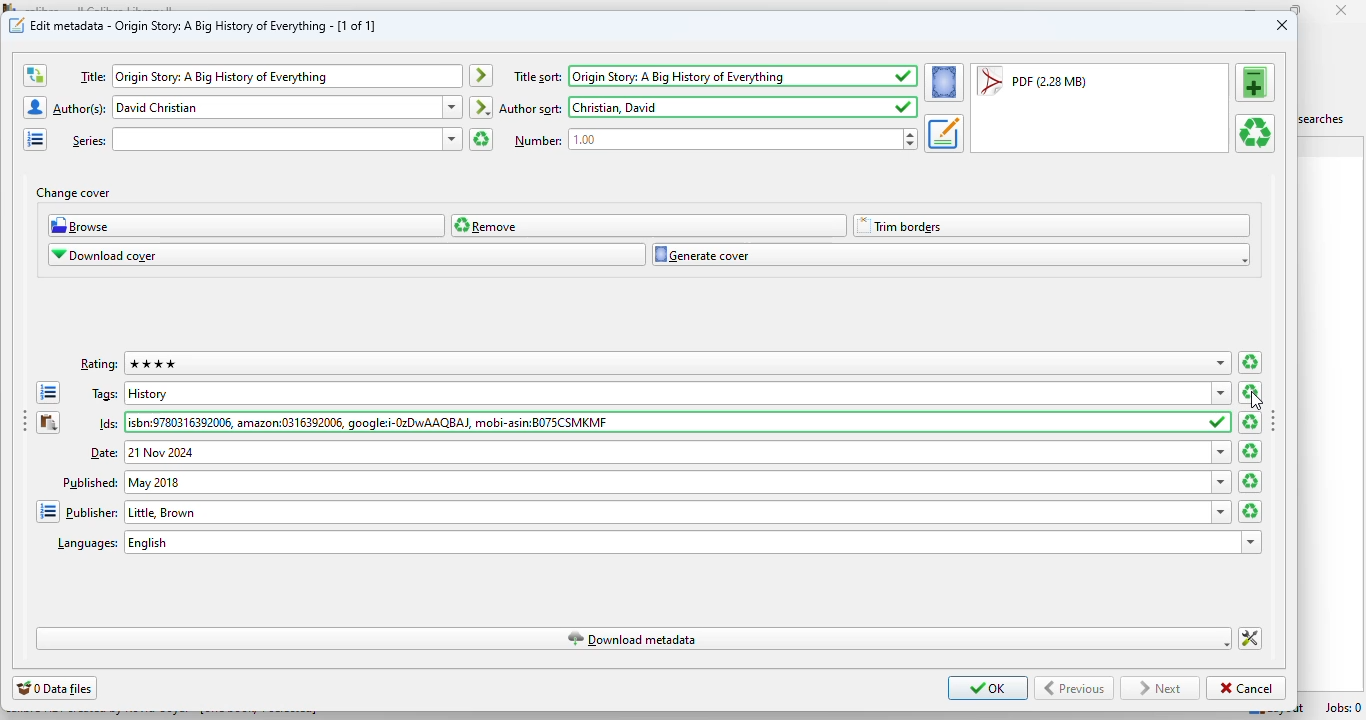 The width and height of the screenshot is (1366, 720). What do you see at coordinates (347, 254) in the screenshot?
I see `download cover` at bounding box center [347, 254].